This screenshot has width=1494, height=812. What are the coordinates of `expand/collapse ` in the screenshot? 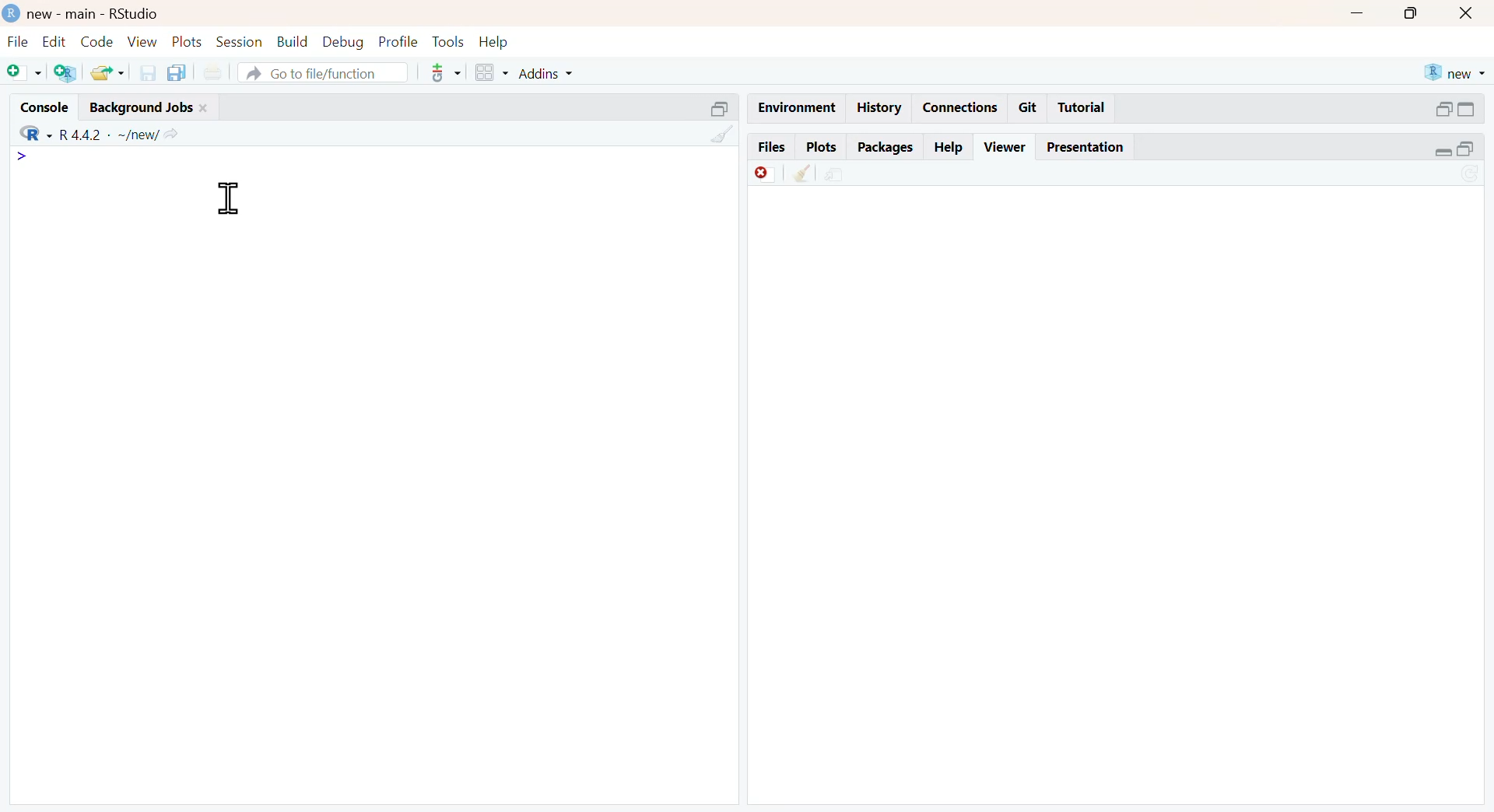 It's located at (1466, 109).